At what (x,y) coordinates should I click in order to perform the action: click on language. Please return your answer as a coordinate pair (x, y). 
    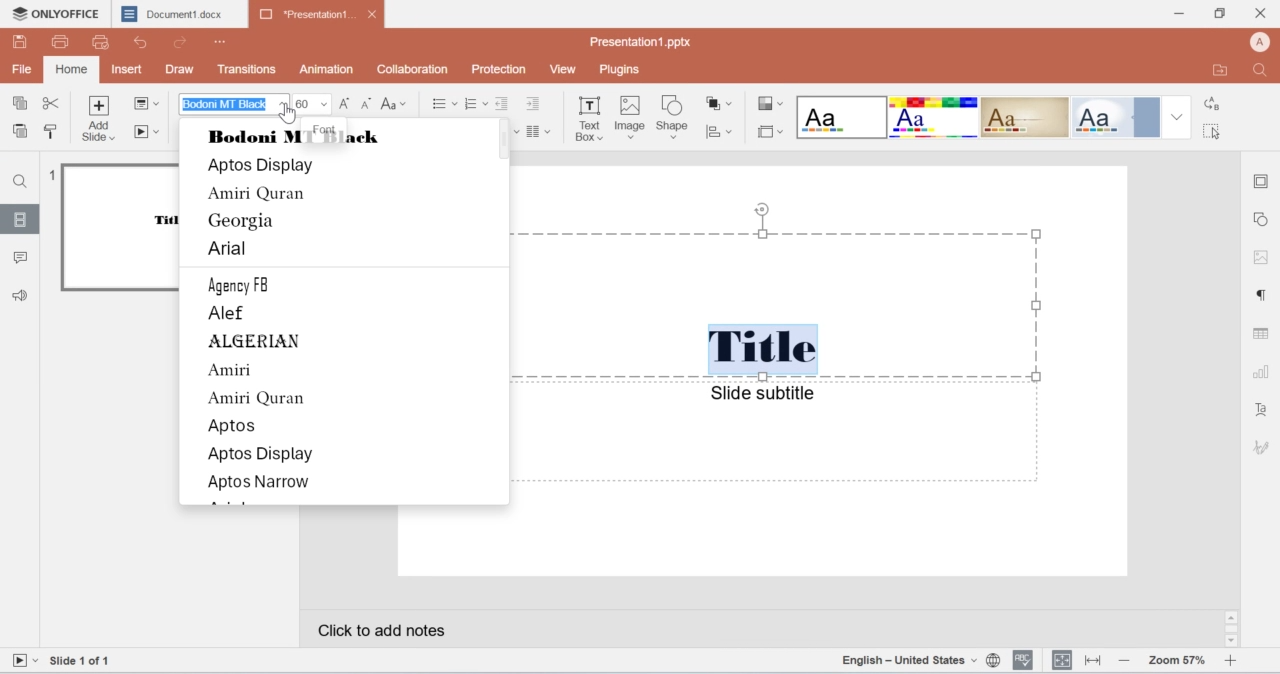
    Looking at the image, I should click on (922, 661).